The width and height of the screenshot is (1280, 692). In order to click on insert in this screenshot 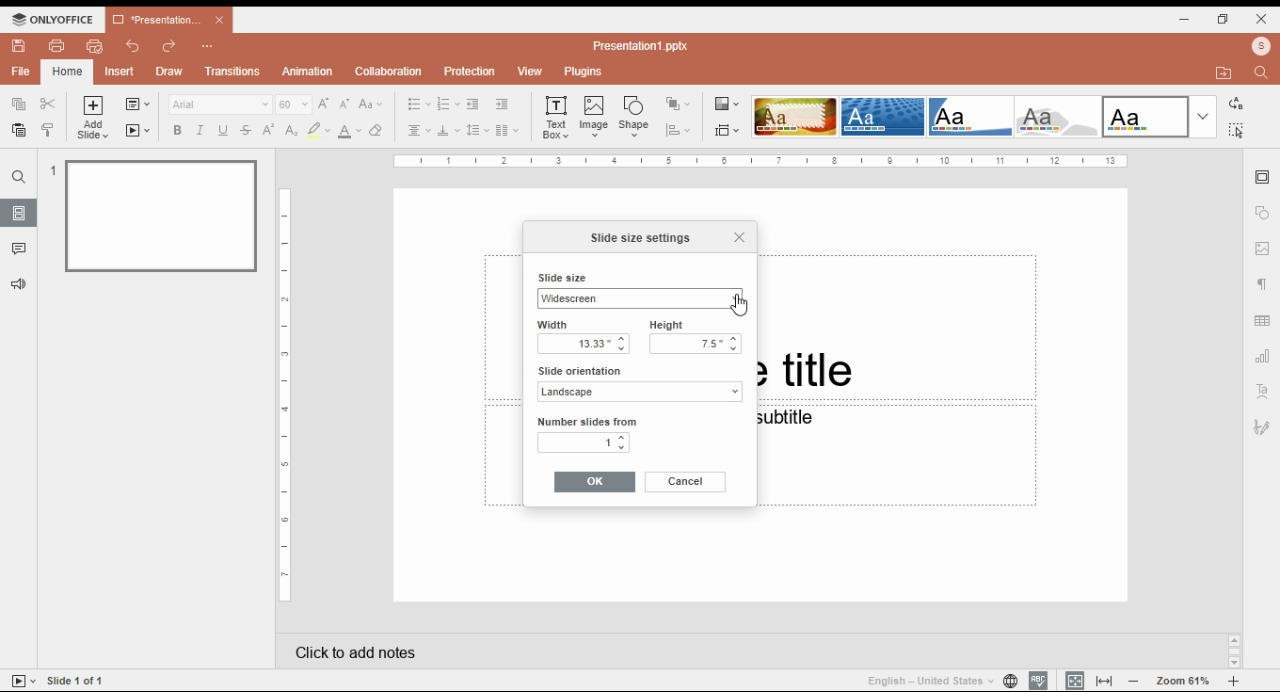, I will do `click(120, 72)`.